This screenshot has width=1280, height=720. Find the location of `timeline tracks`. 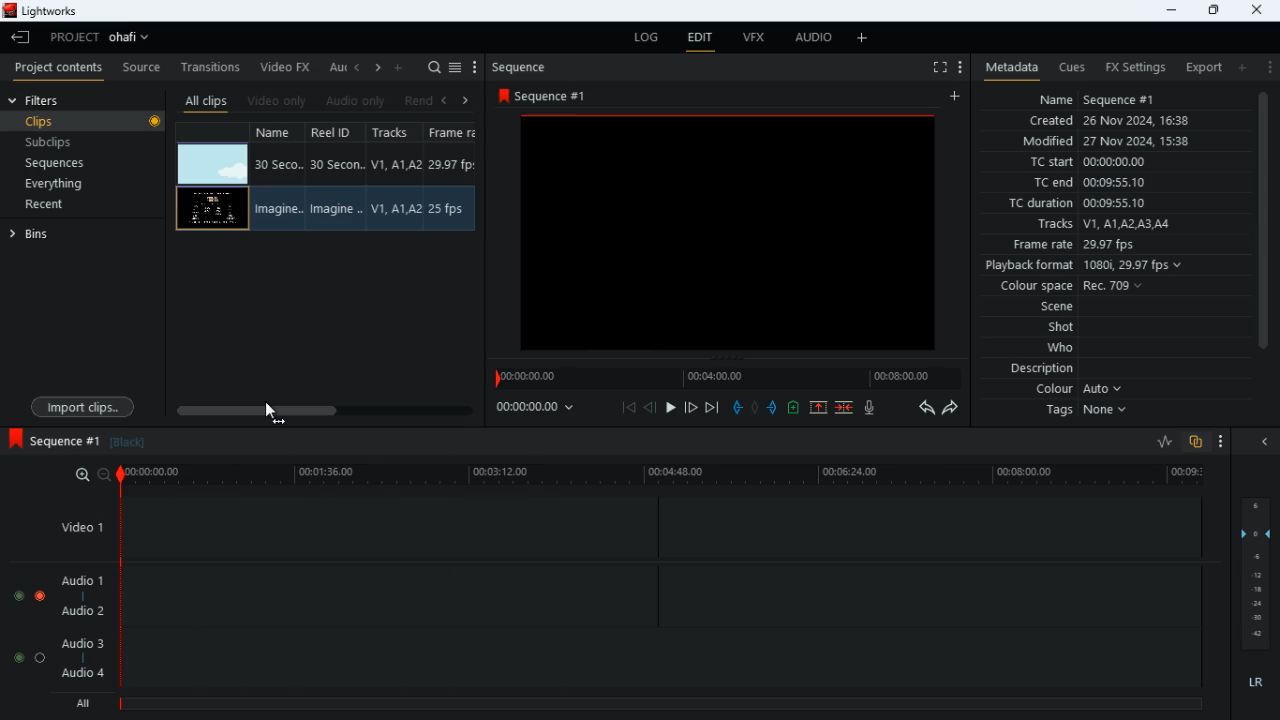

timeline tracks is located at coordinates (661, 655).